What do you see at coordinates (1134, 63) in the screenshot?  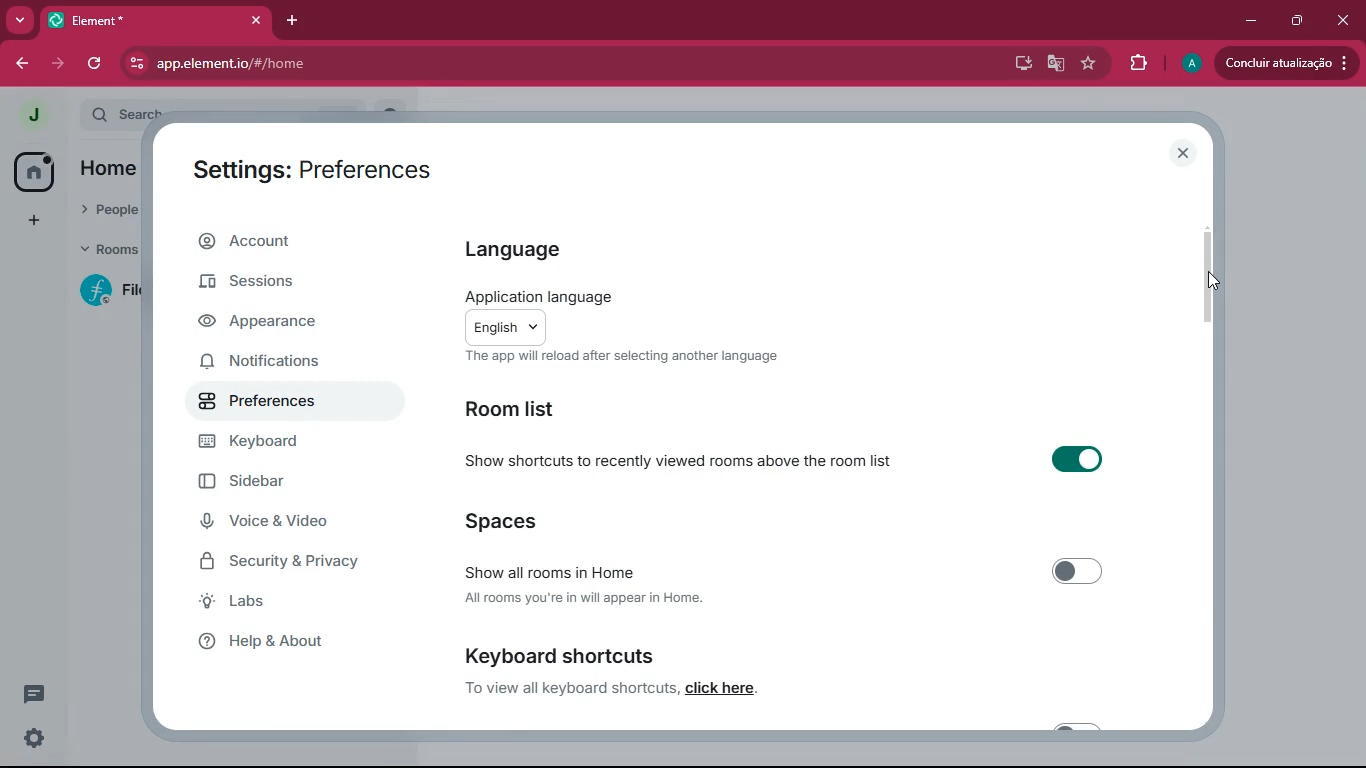 I see `extensions` at bounding box center [1134, 63].